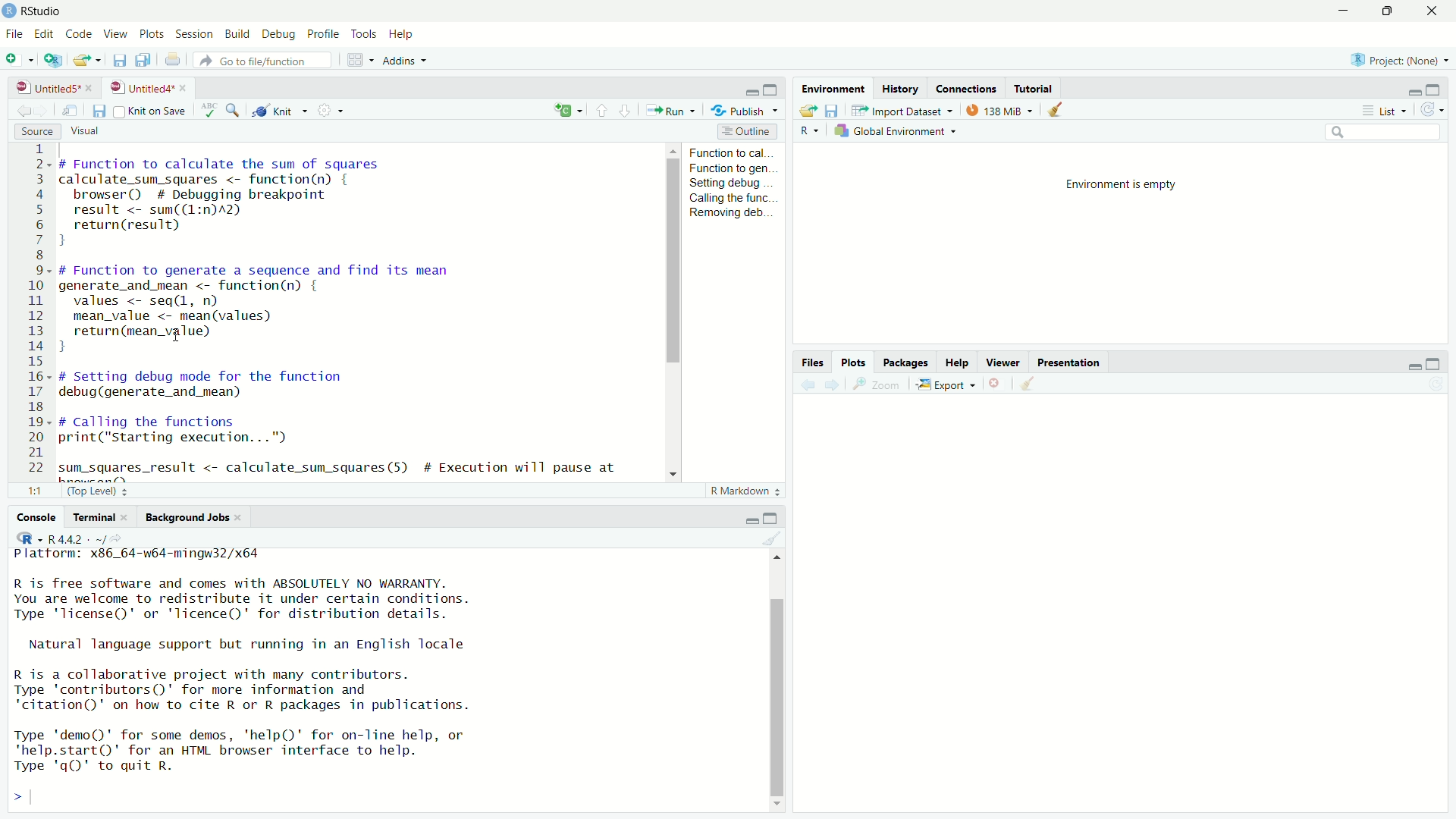 The width and height of the screenshot is (1456, 819). What do you see at coordinates (773, 89) in the screenshot?
I see `maximize` at bounding box center [773, 89].